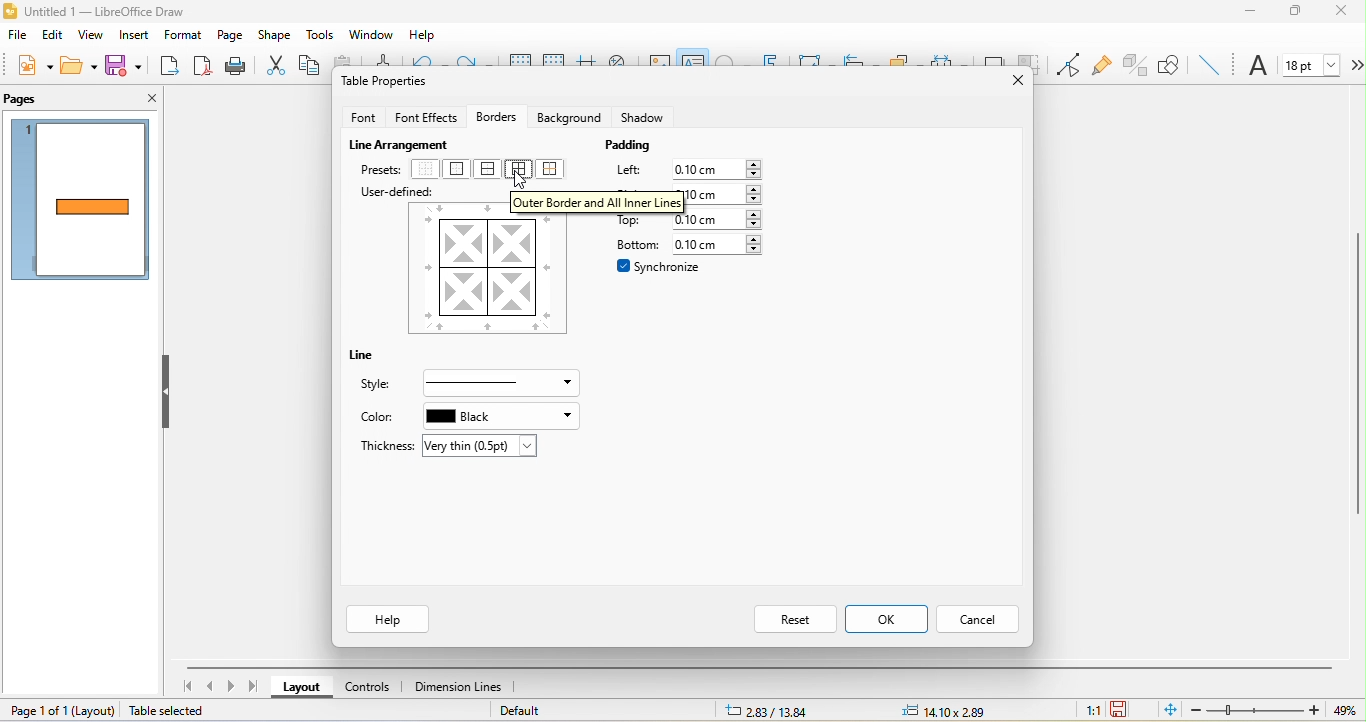 The image size is (1366, 722). Describe the element at coordinates (231, 37) in the screenshot. I see `page` at that location.